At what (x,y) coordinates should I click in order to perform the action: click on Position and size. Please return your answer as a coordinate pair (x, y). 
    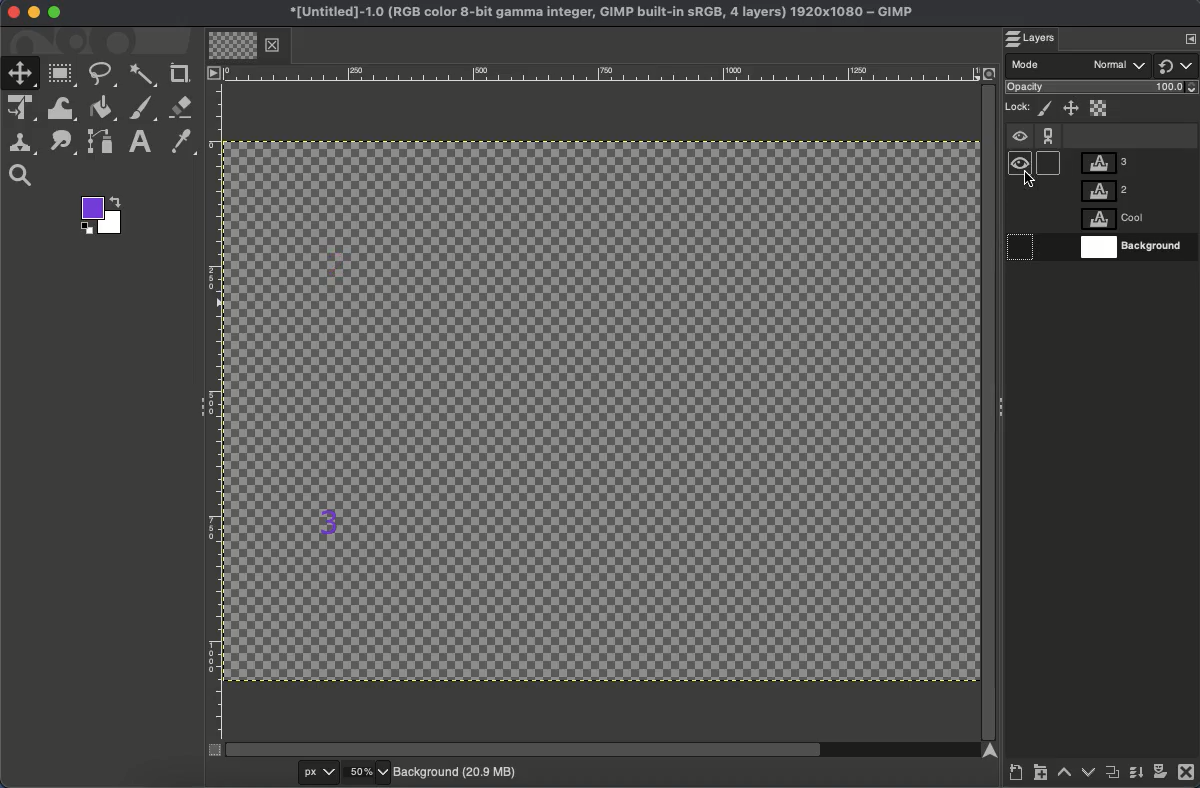
    Looking at the image, I should click on (1072, 110).